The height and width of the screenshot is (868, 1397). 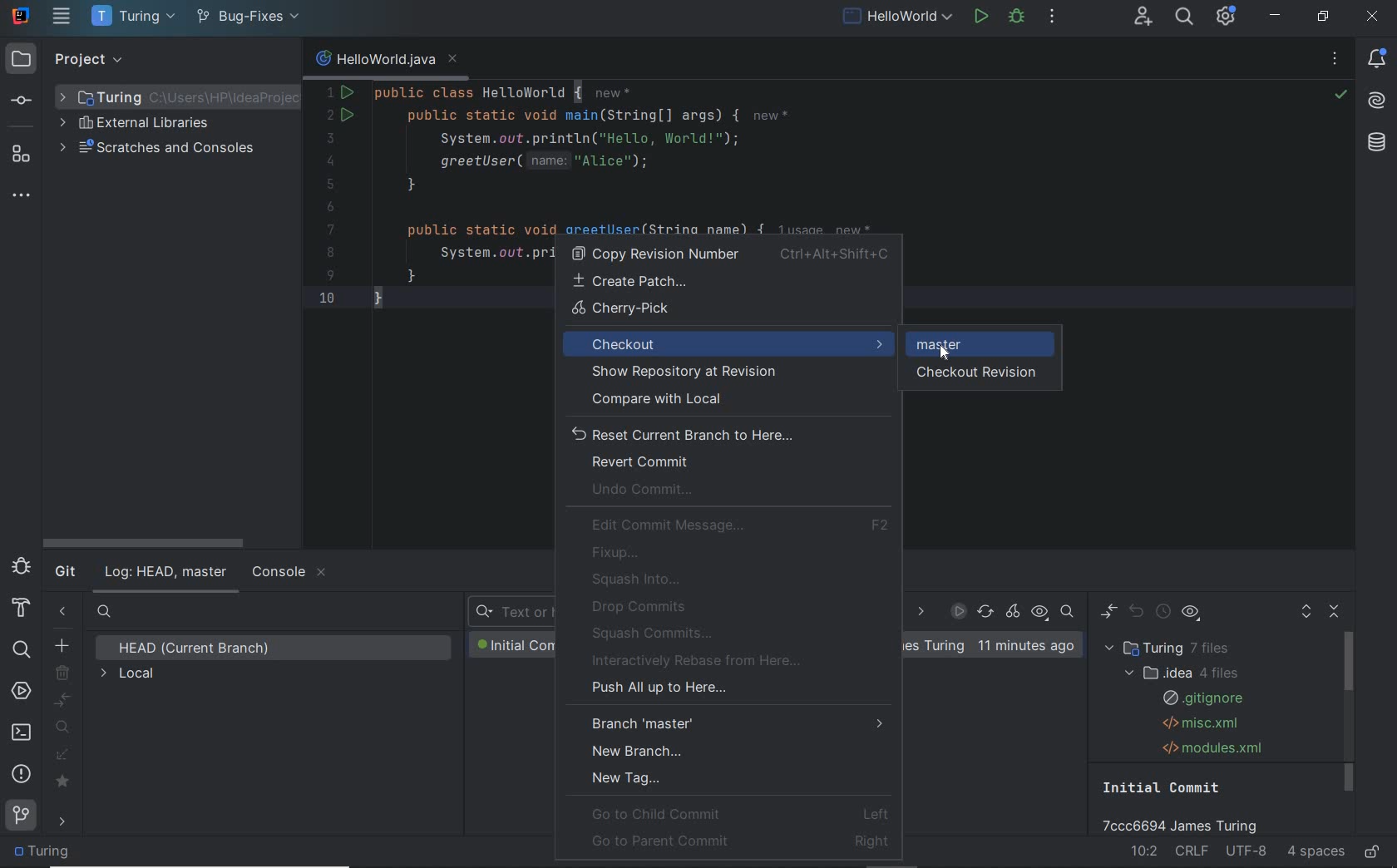 I want to click on push all up to here, so click(x=657, y=690).